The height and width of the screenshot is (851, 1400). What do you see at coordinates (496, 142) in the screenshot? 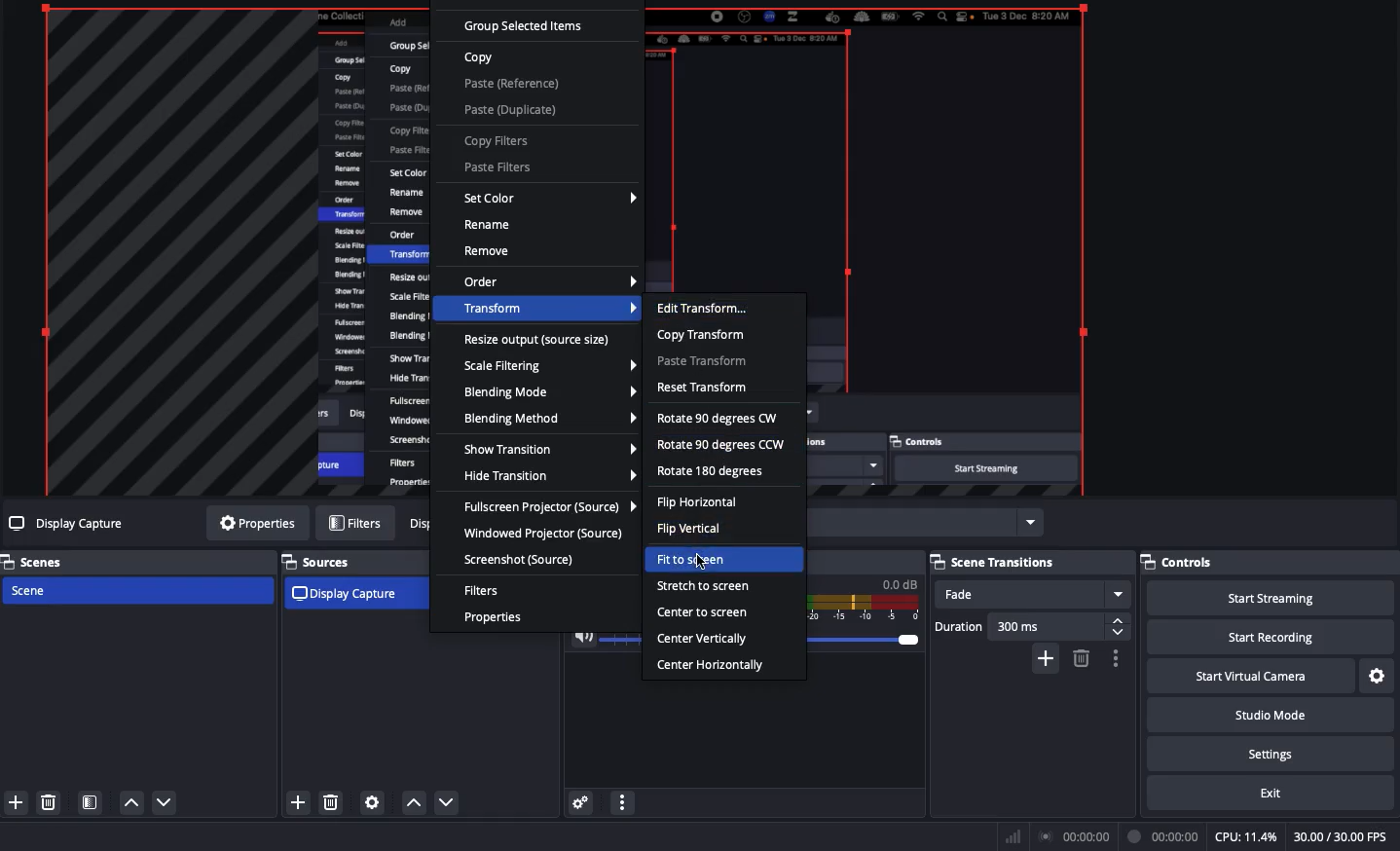
I see `Copy filters` at bounding box center [496, 142].